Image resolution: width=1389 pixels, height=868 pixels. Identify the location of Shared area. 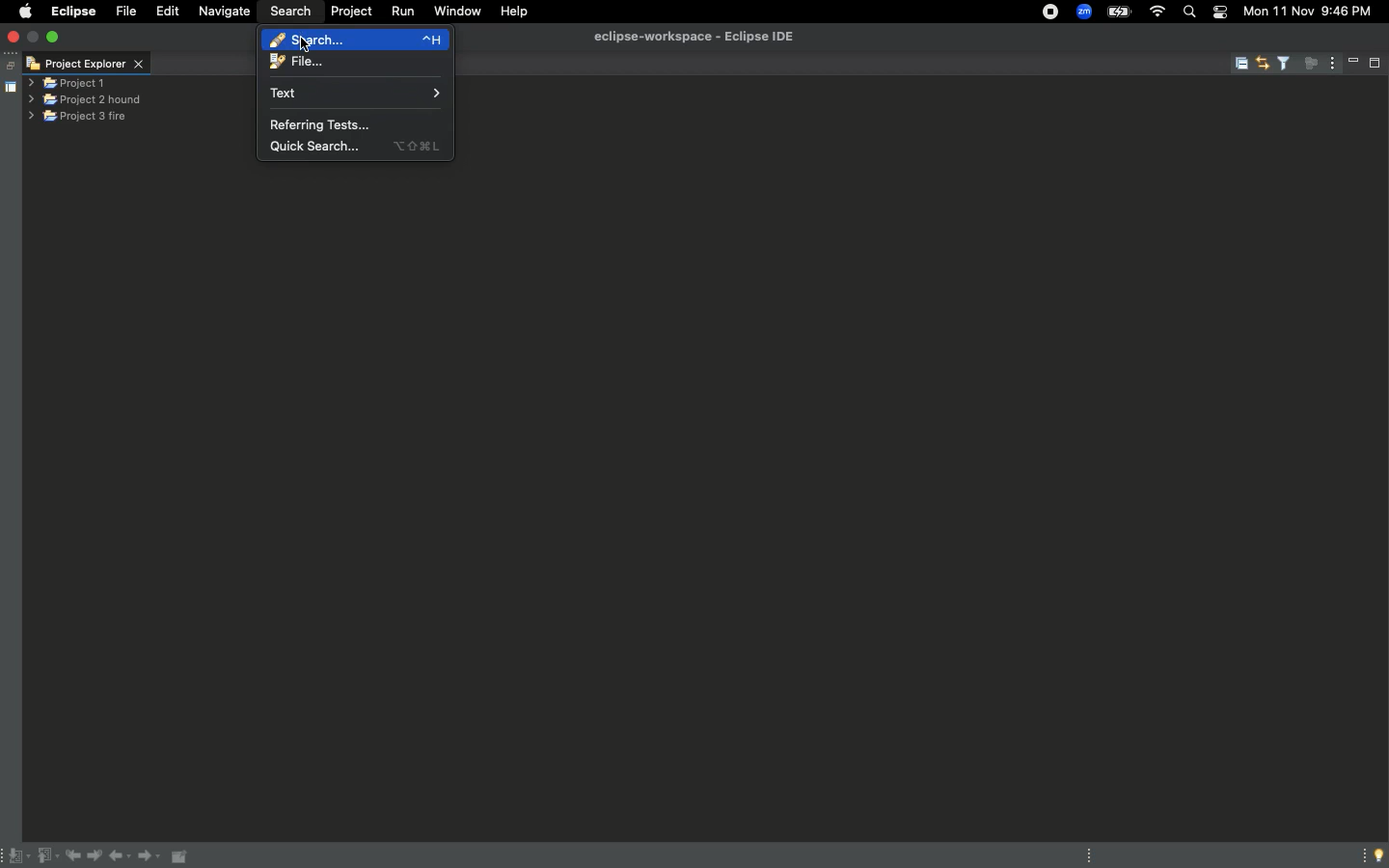
(8, 86).